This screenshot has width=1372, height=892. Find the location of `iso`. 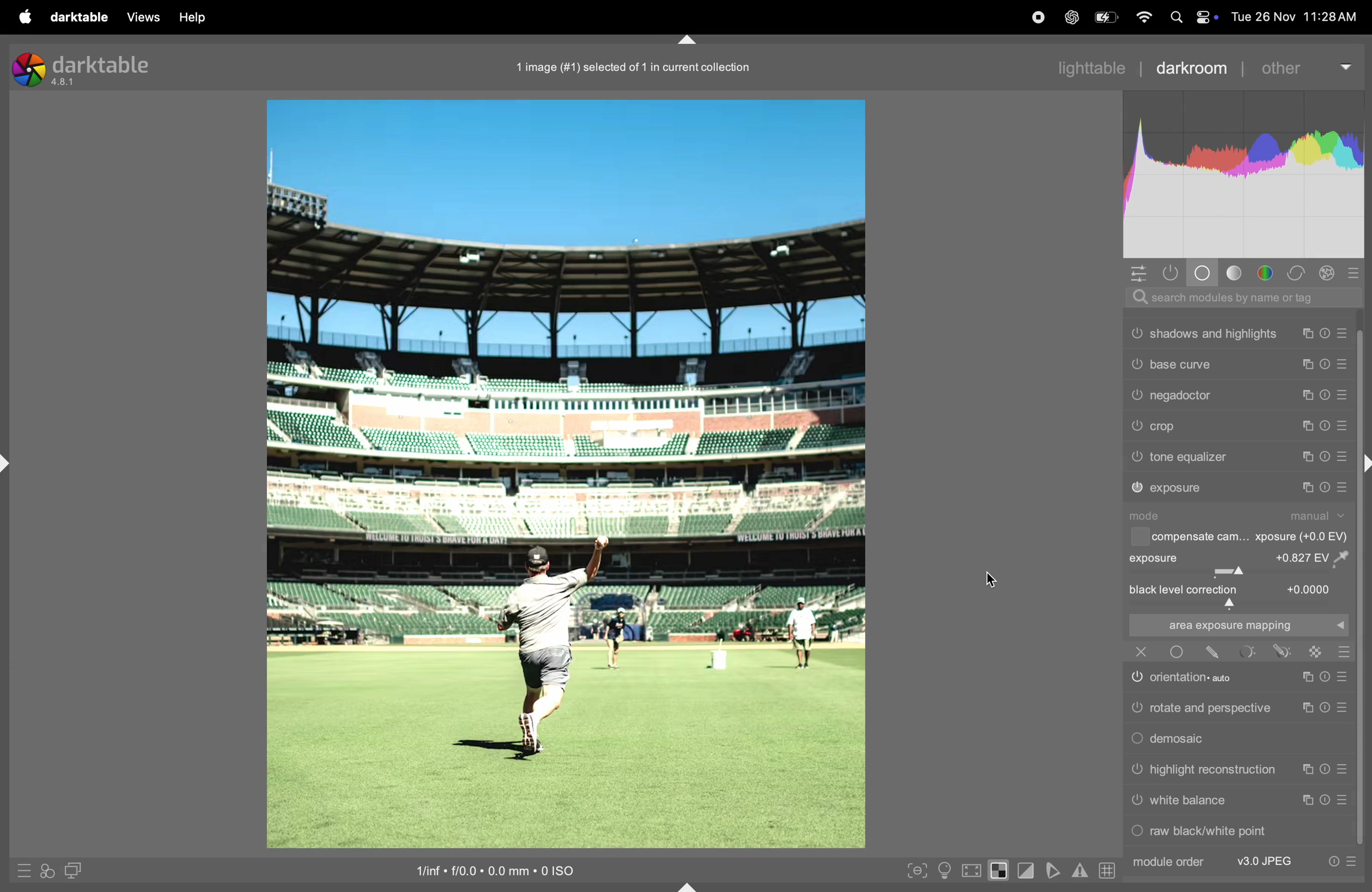

iso is located at coordinates (489, 869).